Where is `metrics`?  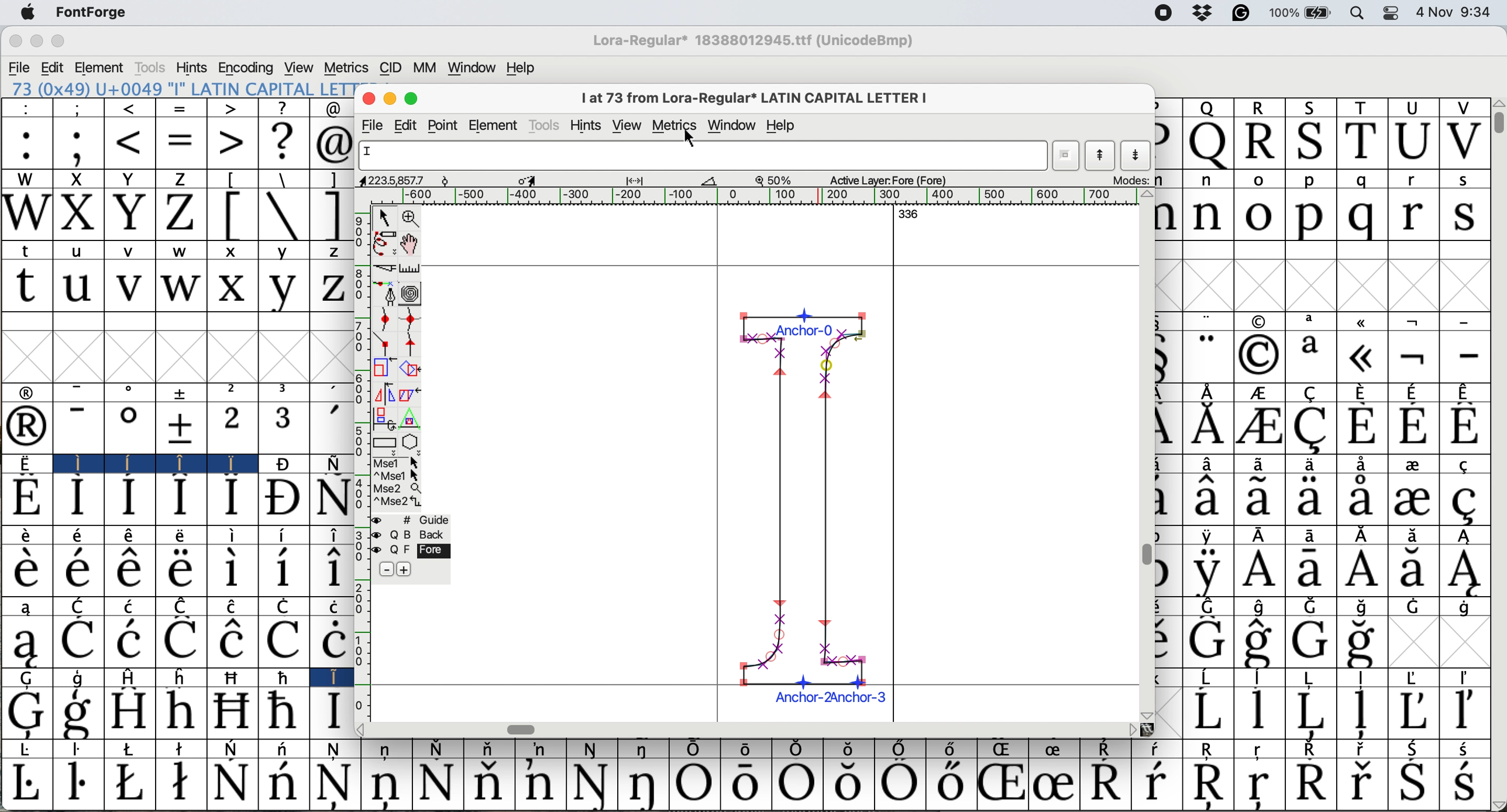 metrics is located at coordinates (675, 123).